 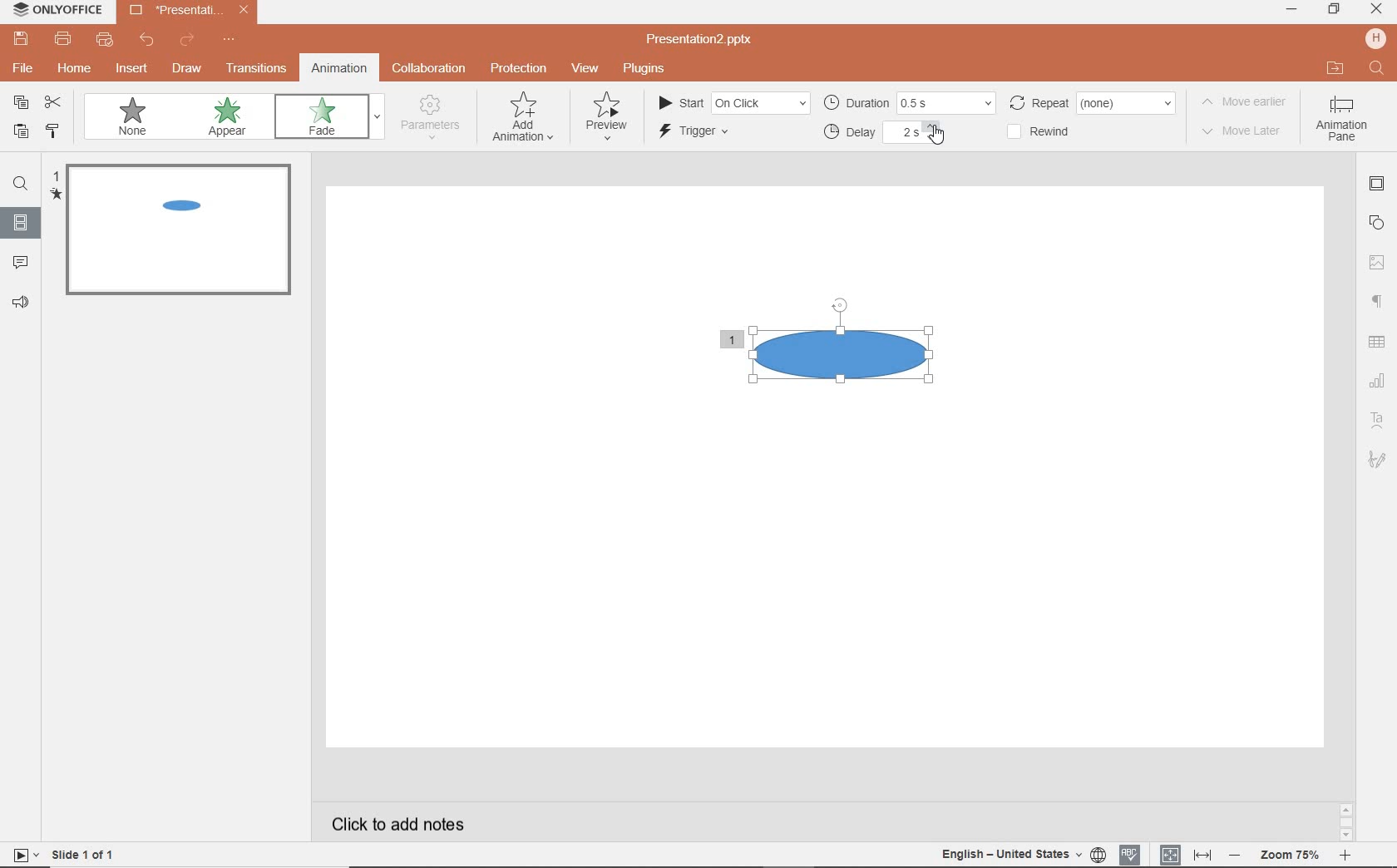 I want to click on zoom, so click(x=1288, y=857).